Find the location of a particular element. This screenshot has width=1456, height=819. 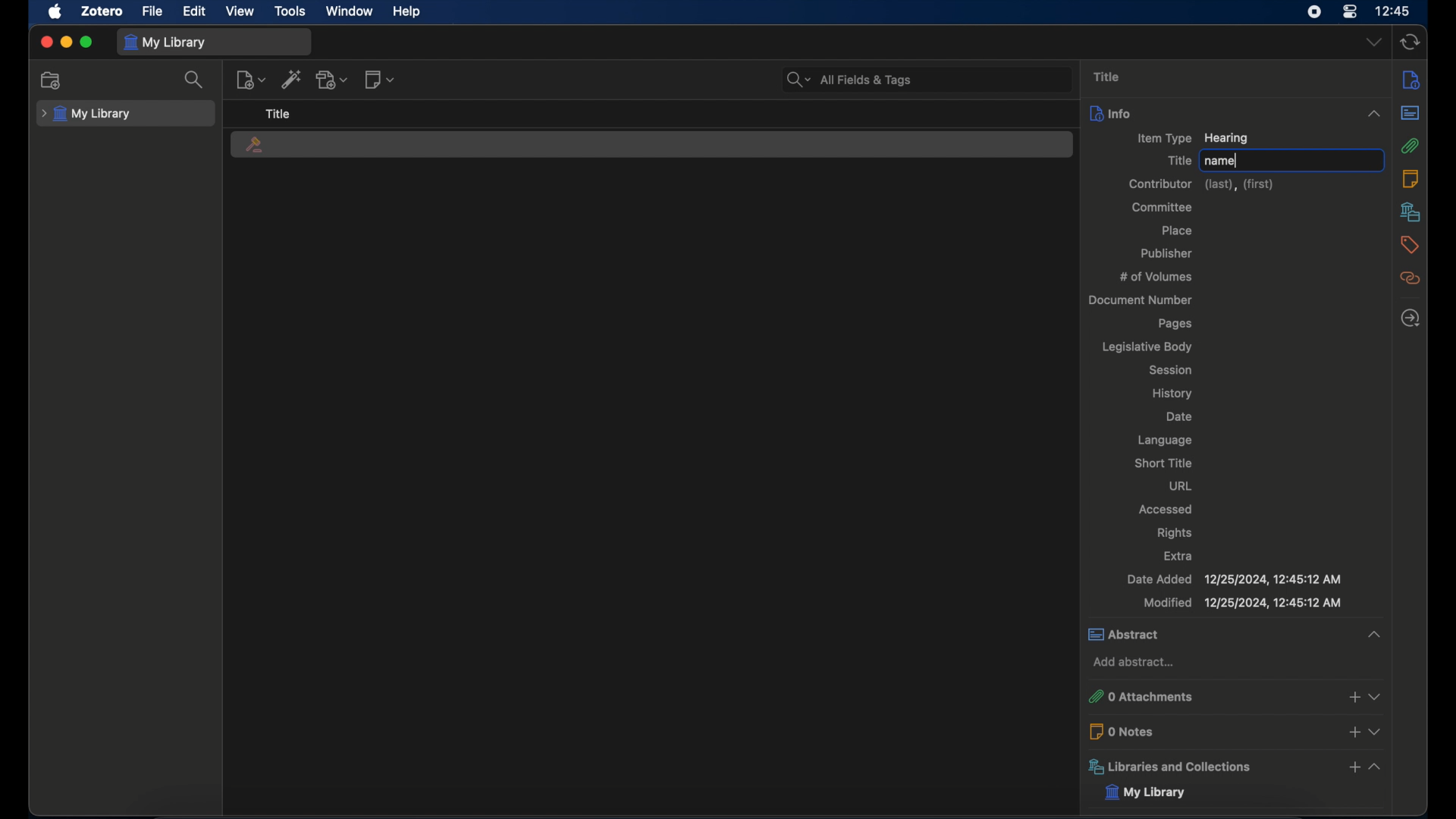

libraries is located at coordinates (1410, 212).